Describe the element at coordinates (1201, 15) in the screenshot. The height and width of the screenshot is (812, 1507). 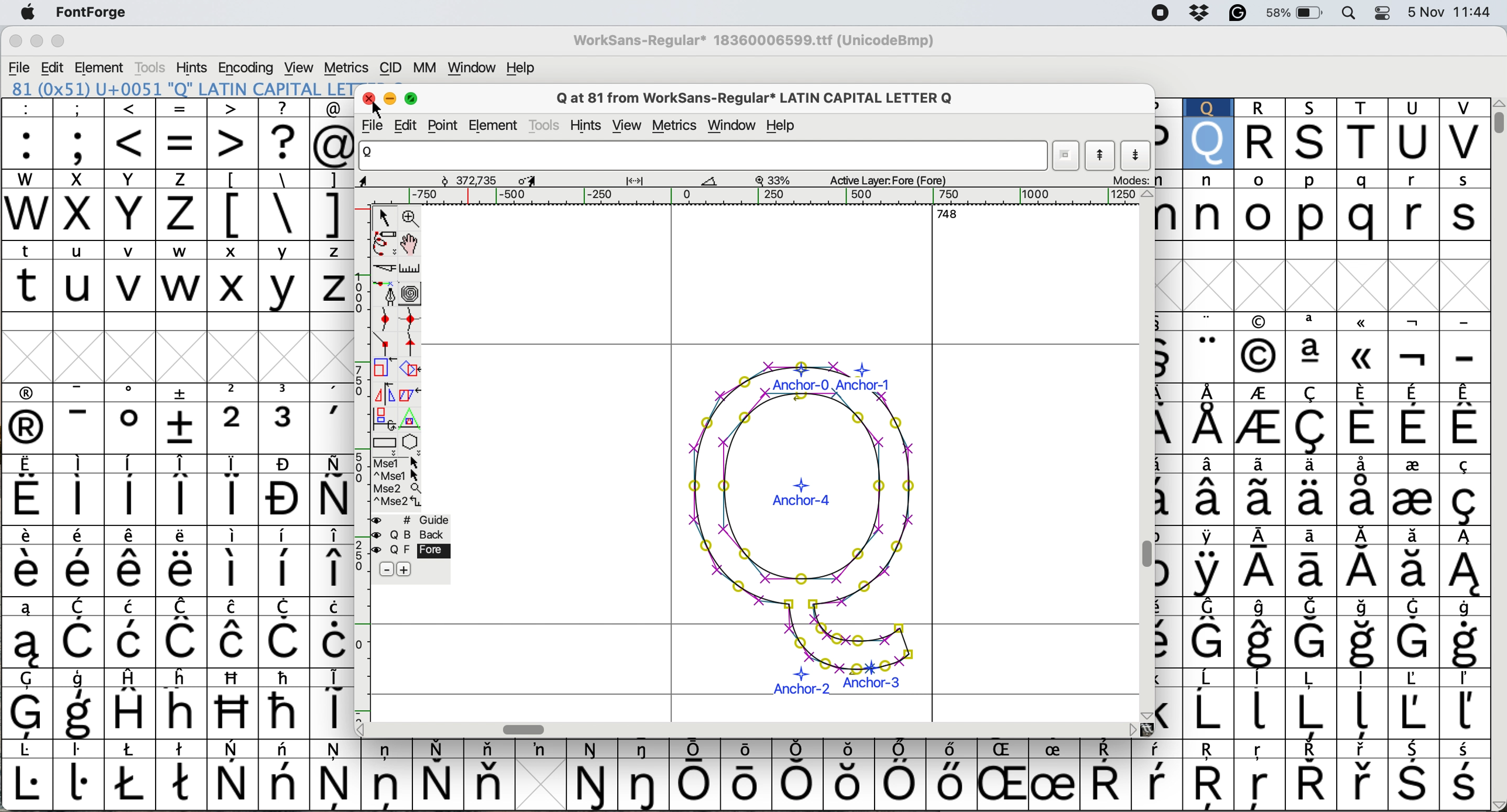
I see `dropbox` at that location.